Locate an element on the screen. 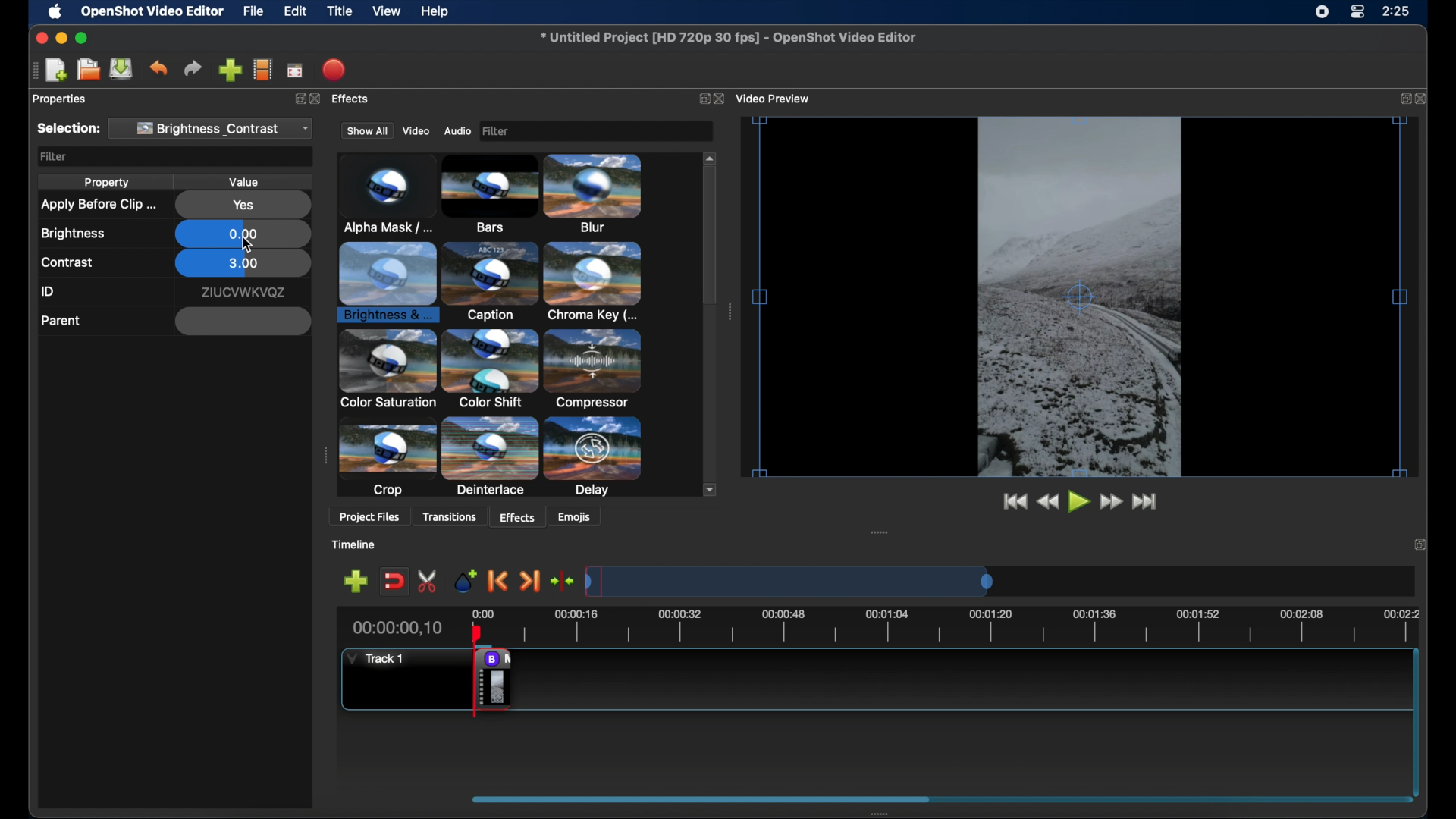  scroll box is located at coordinates (808, 798).